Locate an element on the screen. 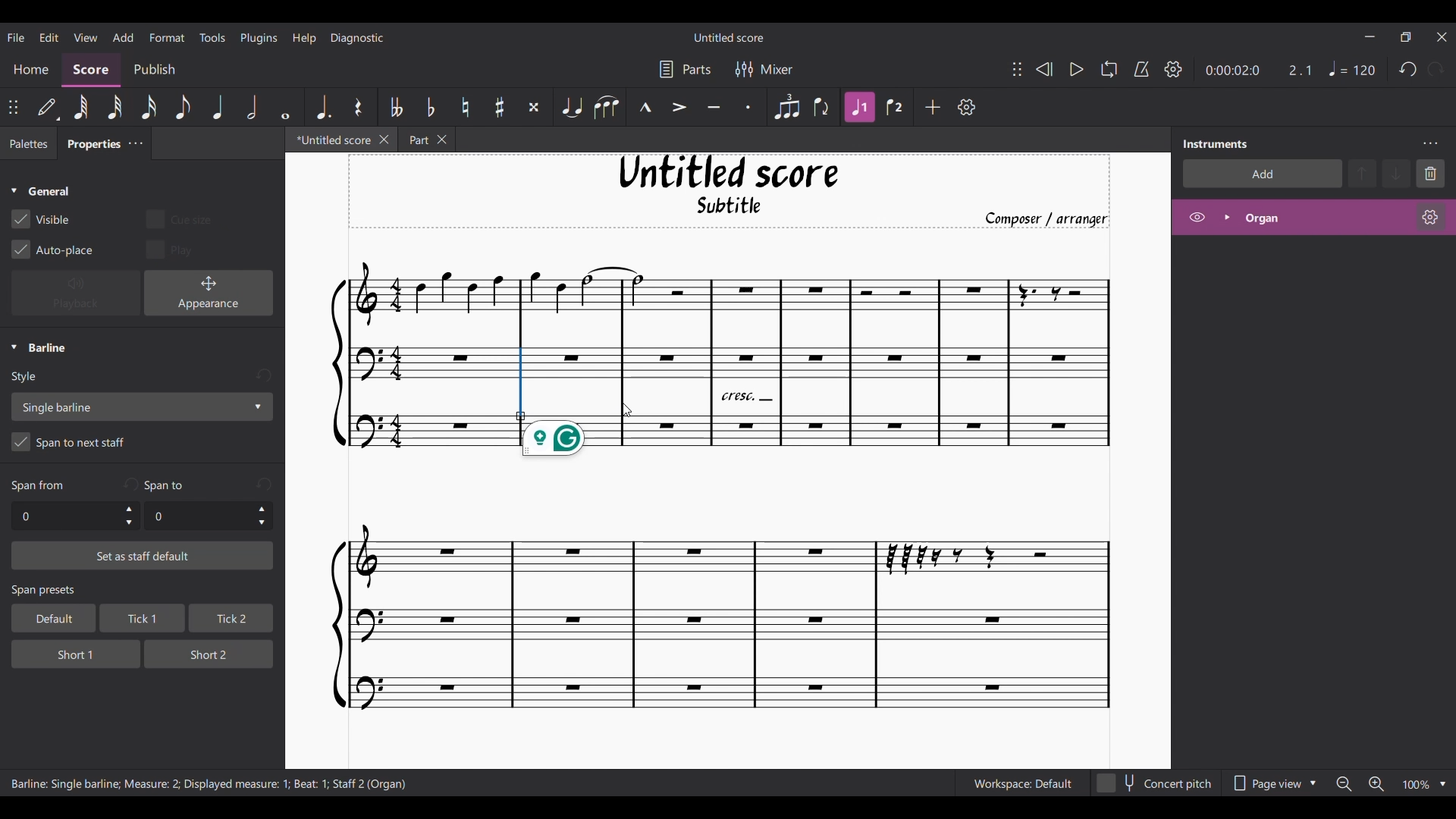 The height and width of the screenshot is (819, 1456). Close interface is located at coordinates (1442, 37).